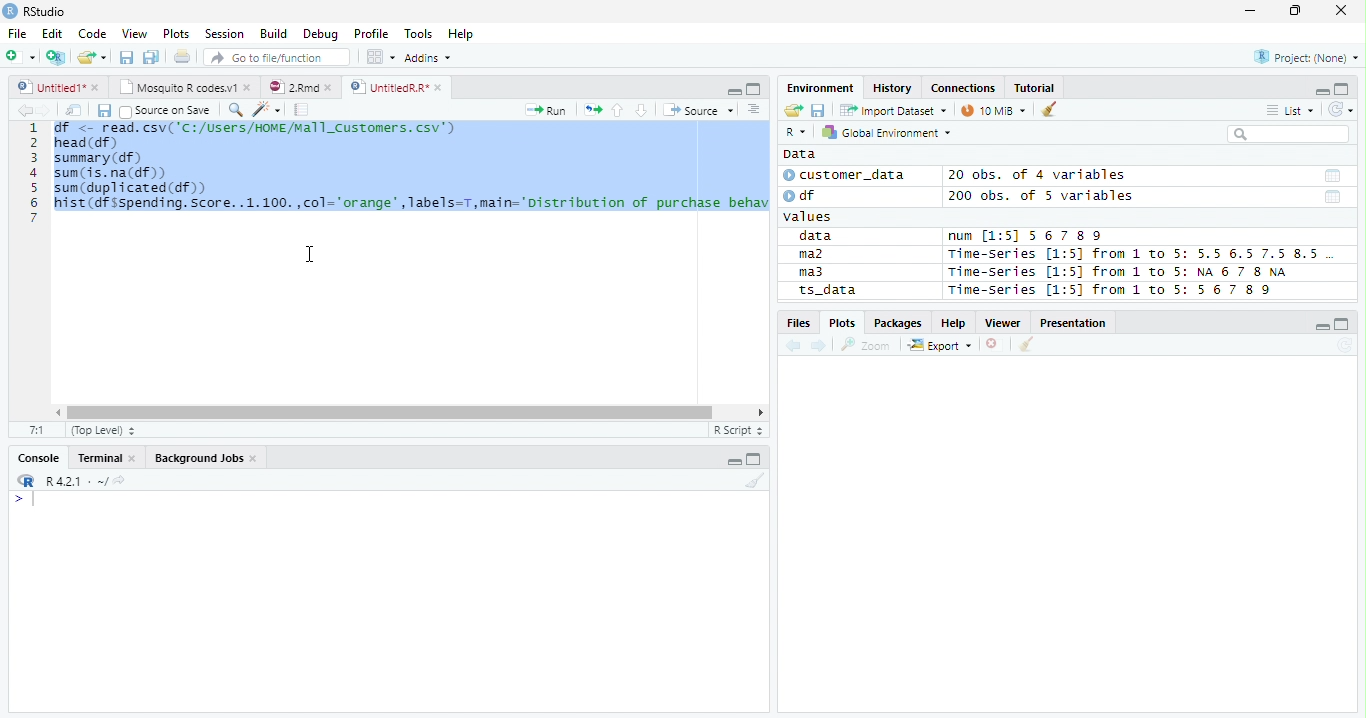 Image resolution: width=1366 pixels, height=718 pixels. I want to click on RStudio, so click(35, 12).